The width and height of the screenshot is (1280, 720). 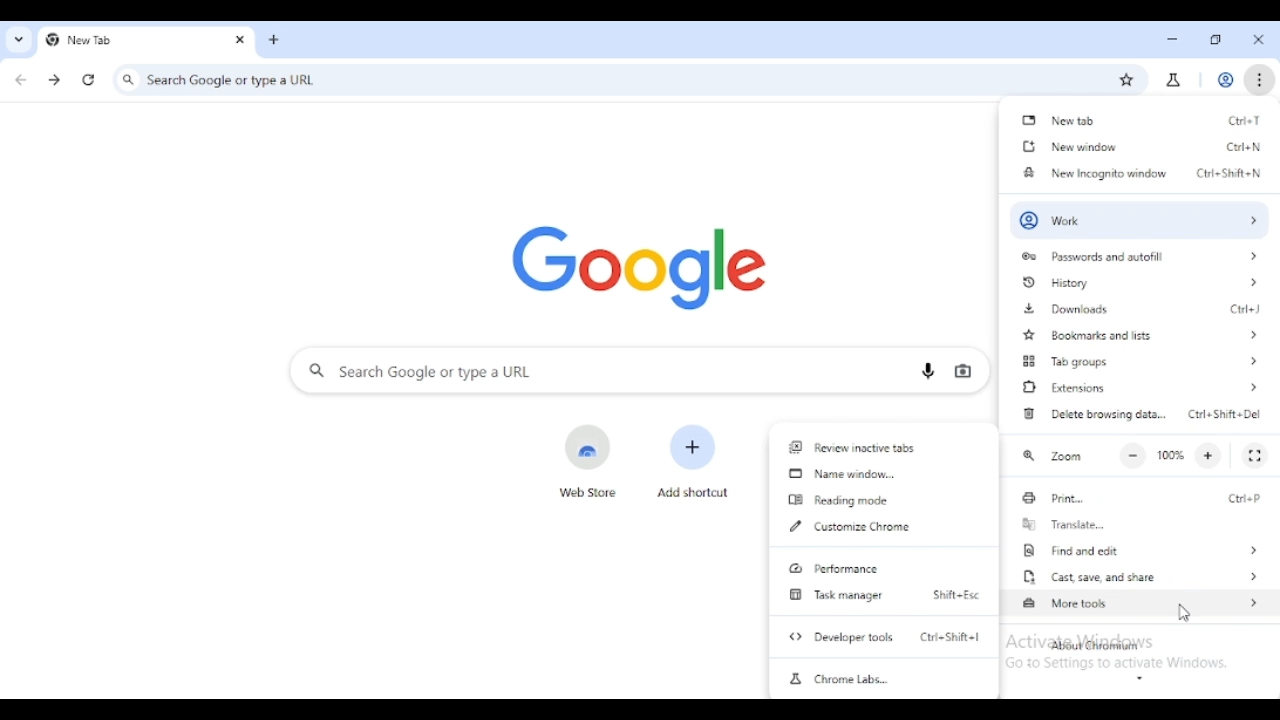 I want to click on delete browsing data, so click(x=1094, y=413).